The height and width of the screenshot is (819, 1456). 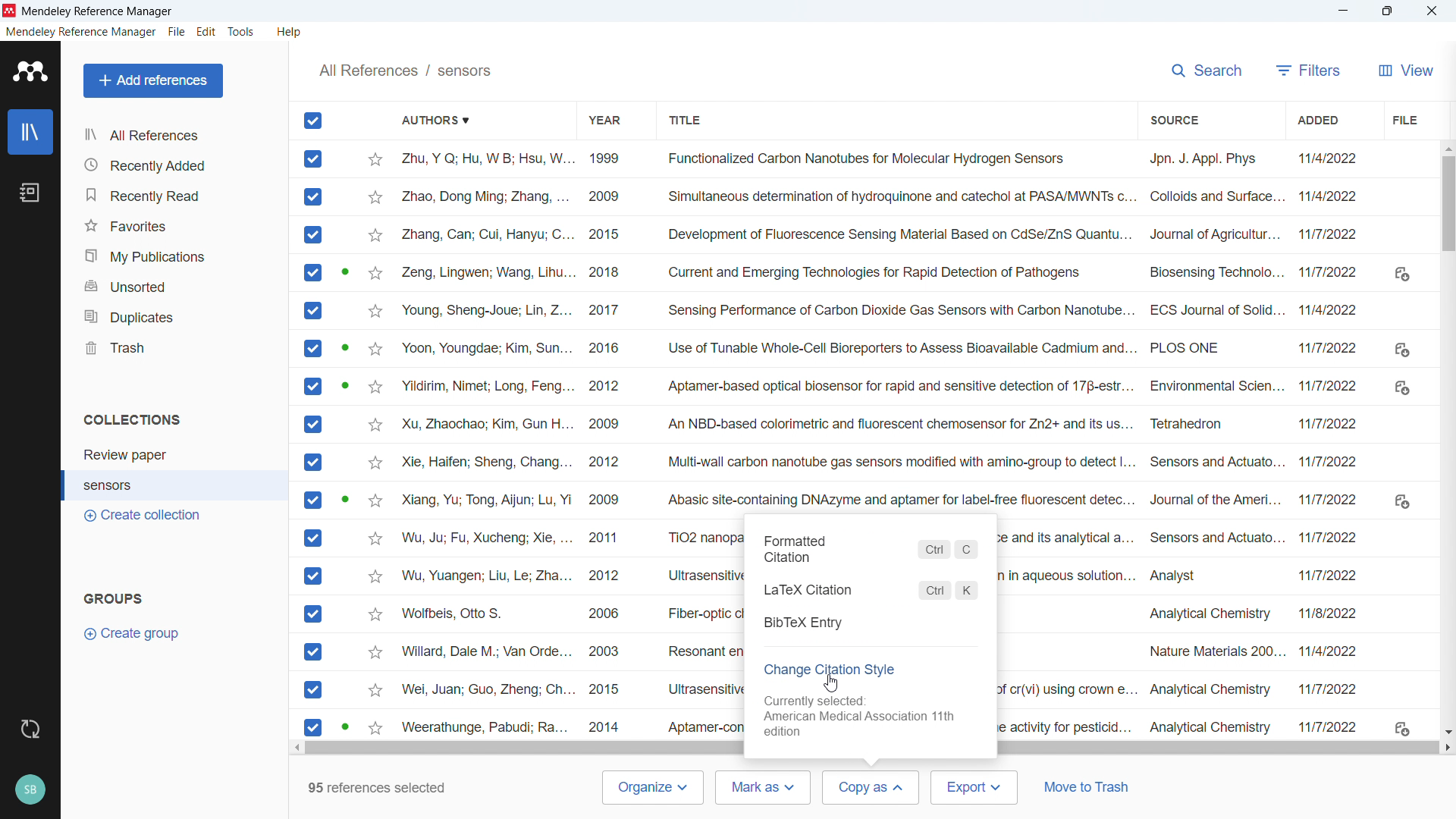 I want to click on Formatted citation , so click(x=872, y=550).